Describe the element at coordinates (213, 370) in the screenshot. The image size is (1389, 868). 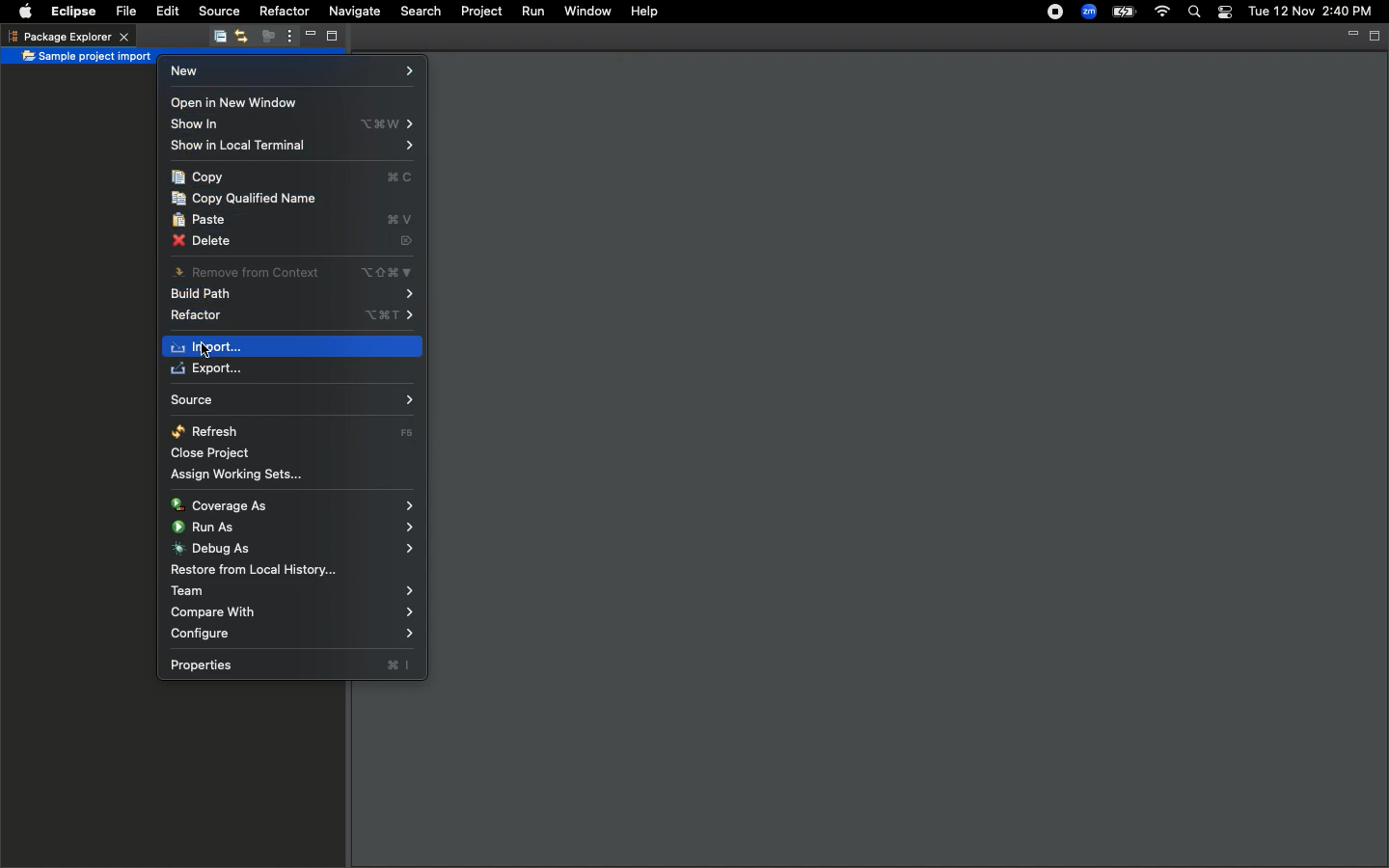
I see `Export` at that location.